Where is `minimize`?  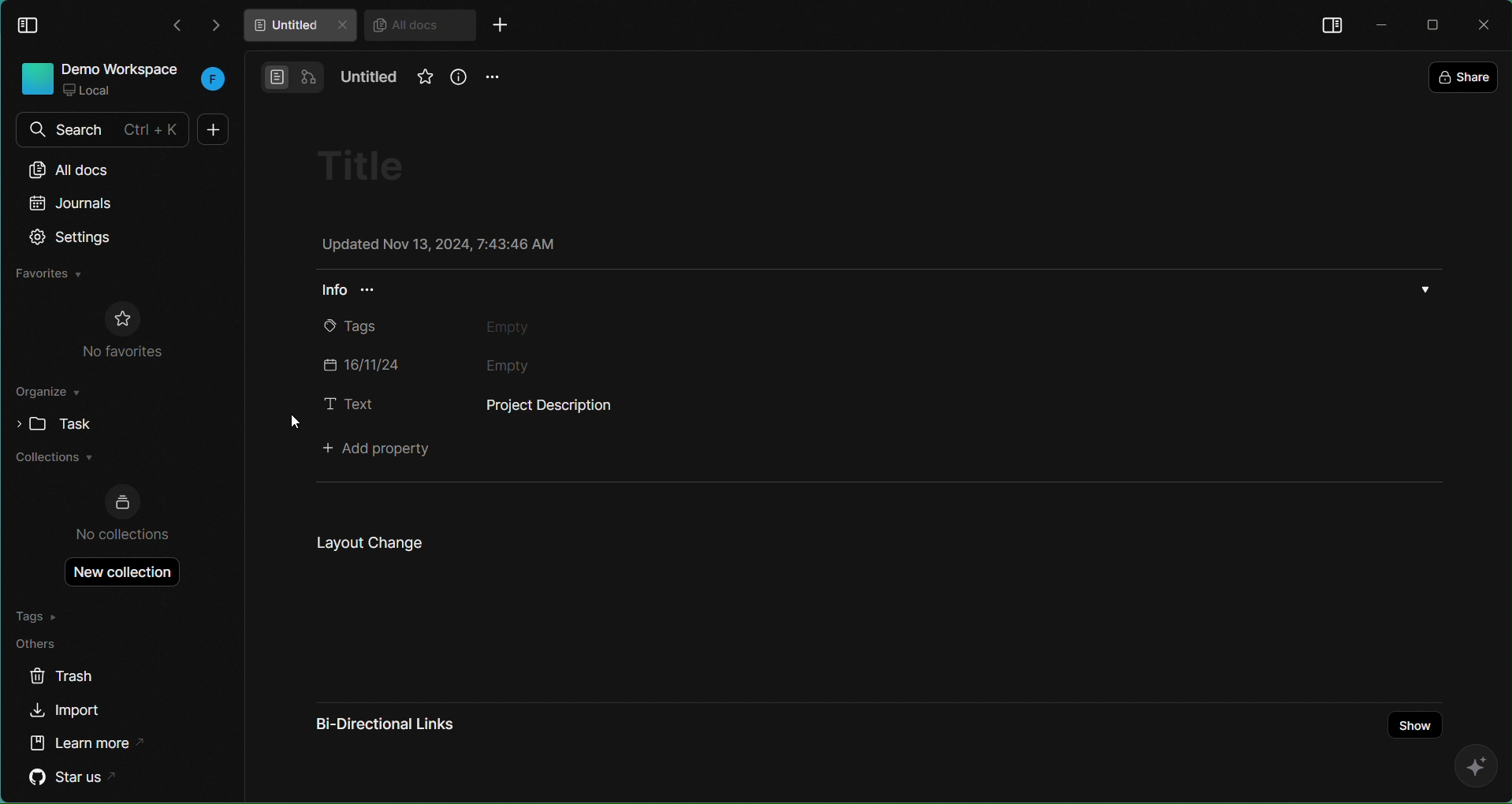
minimize is located at coordinates (1380, 22).